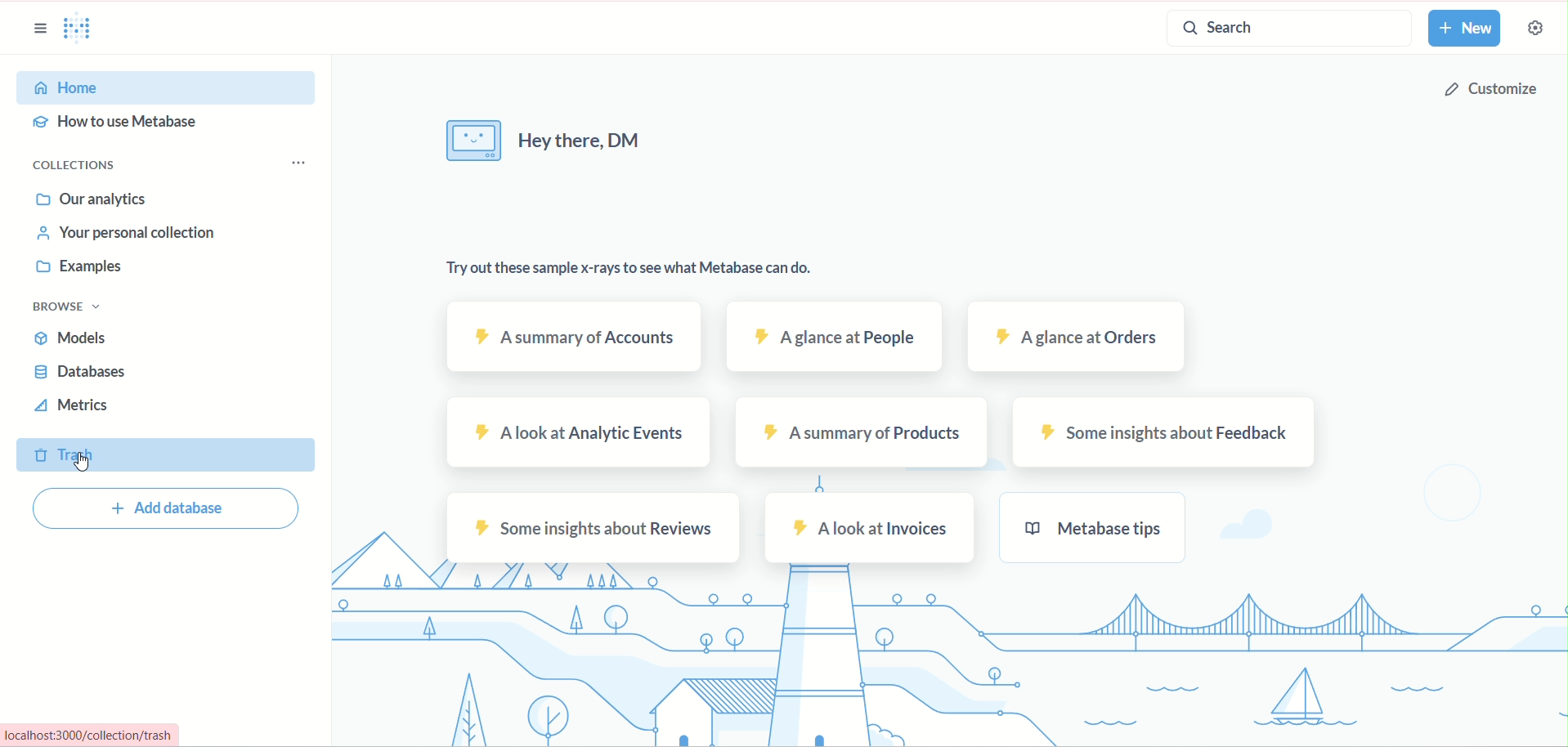 This screenshot has width=1568, height=747. I want to click on localhost:3000/collection/trash, so click(91, 735).